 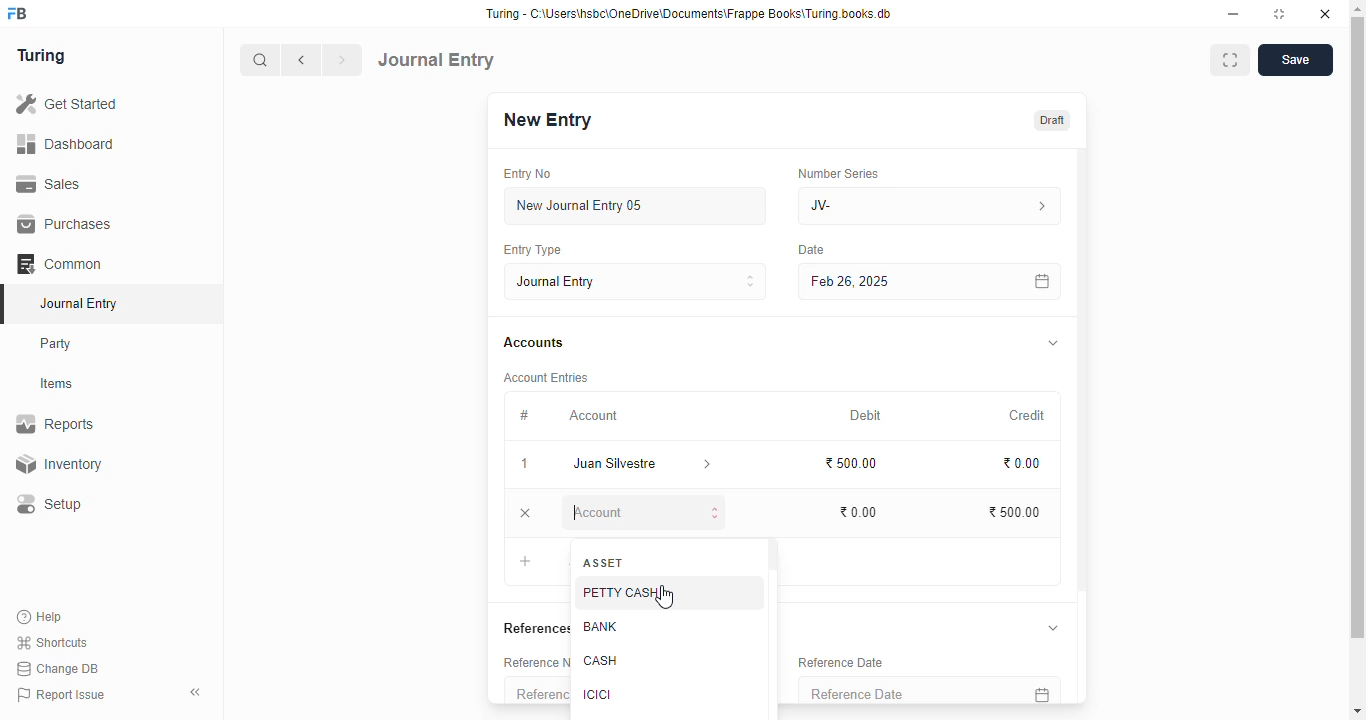 I want to click on previous, so click(x=303, y=60).